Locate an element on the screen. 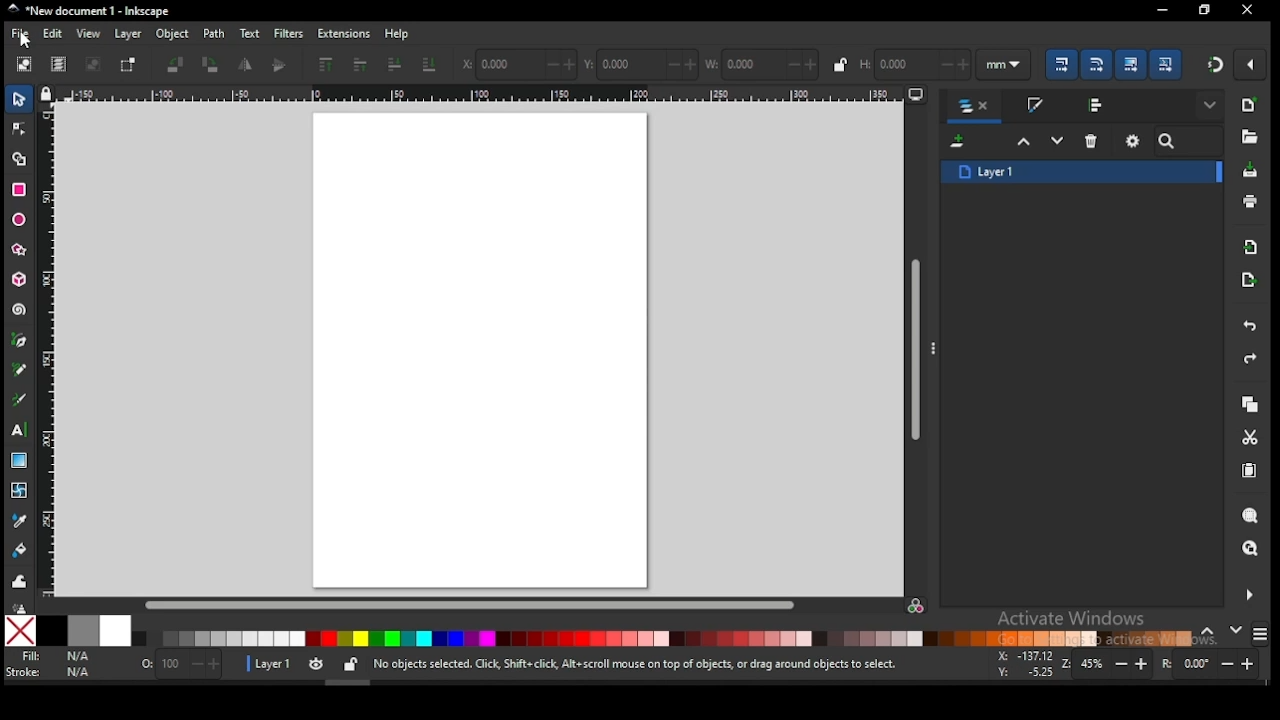  color palette is located at coordinates (662, 638).